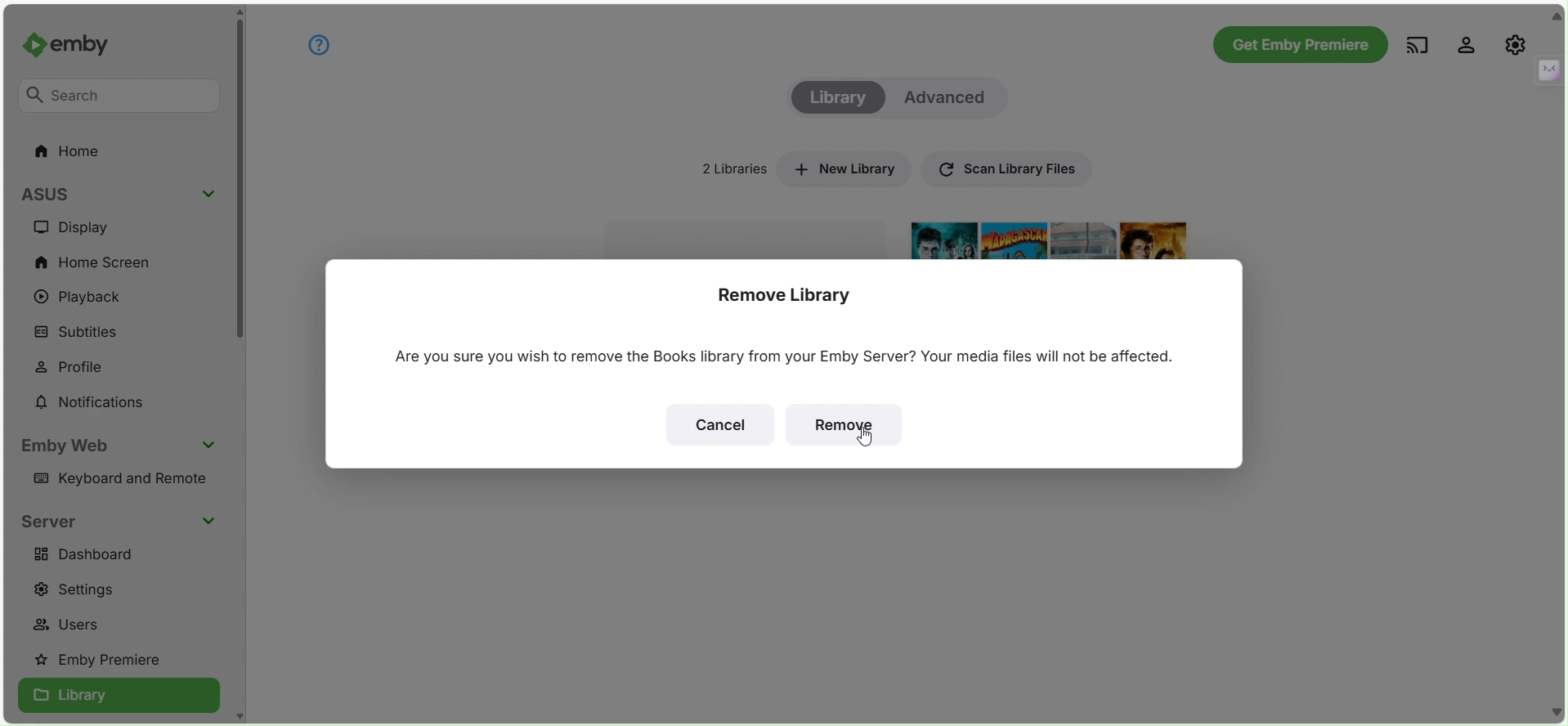 The image size is (1568, 726). I want to click on Playback, so click(83, 298).